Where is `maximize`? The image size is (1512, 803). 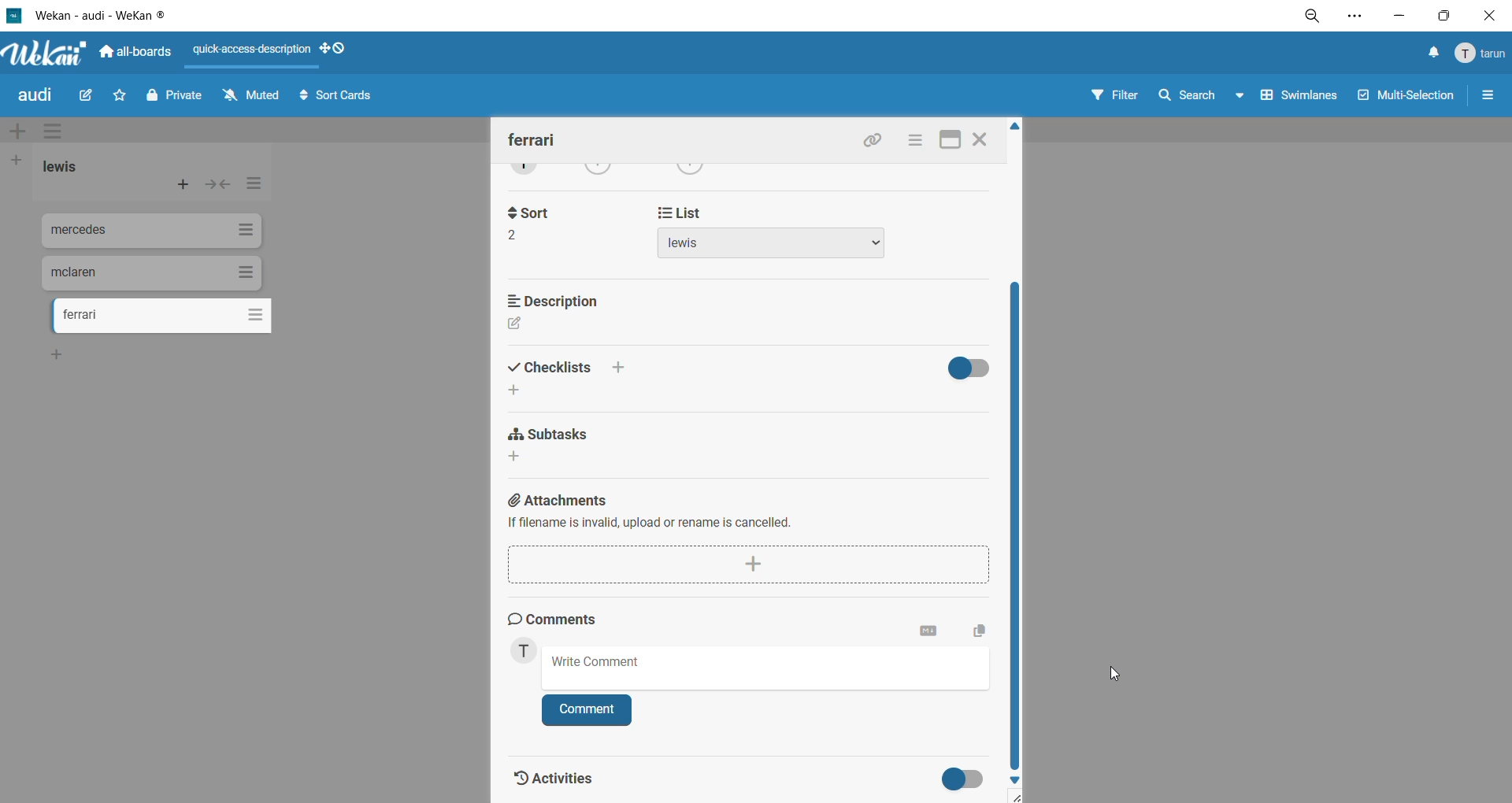
maximize is located at coordinates (1440, 18).